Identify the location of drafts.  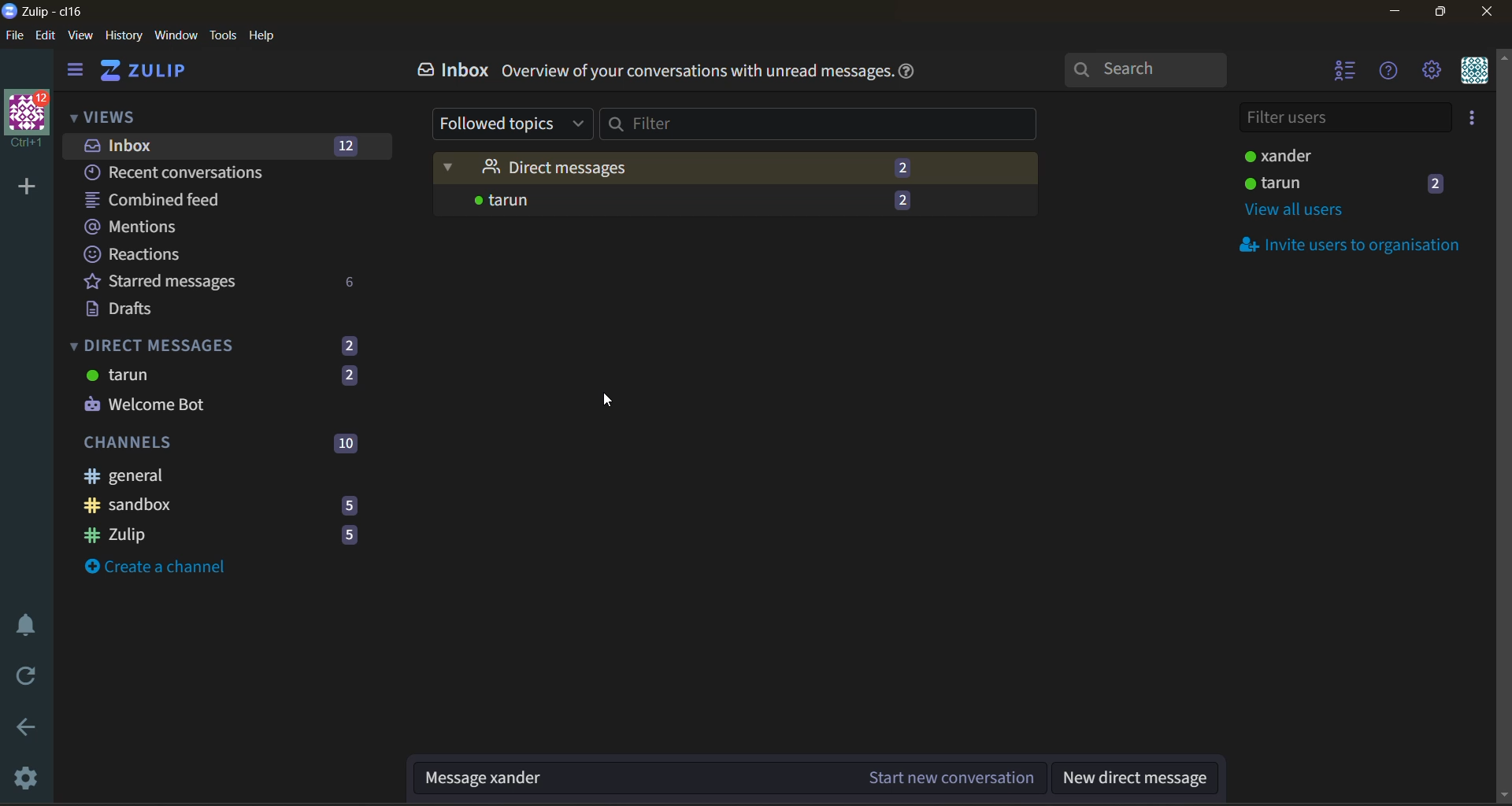
(171, 310).